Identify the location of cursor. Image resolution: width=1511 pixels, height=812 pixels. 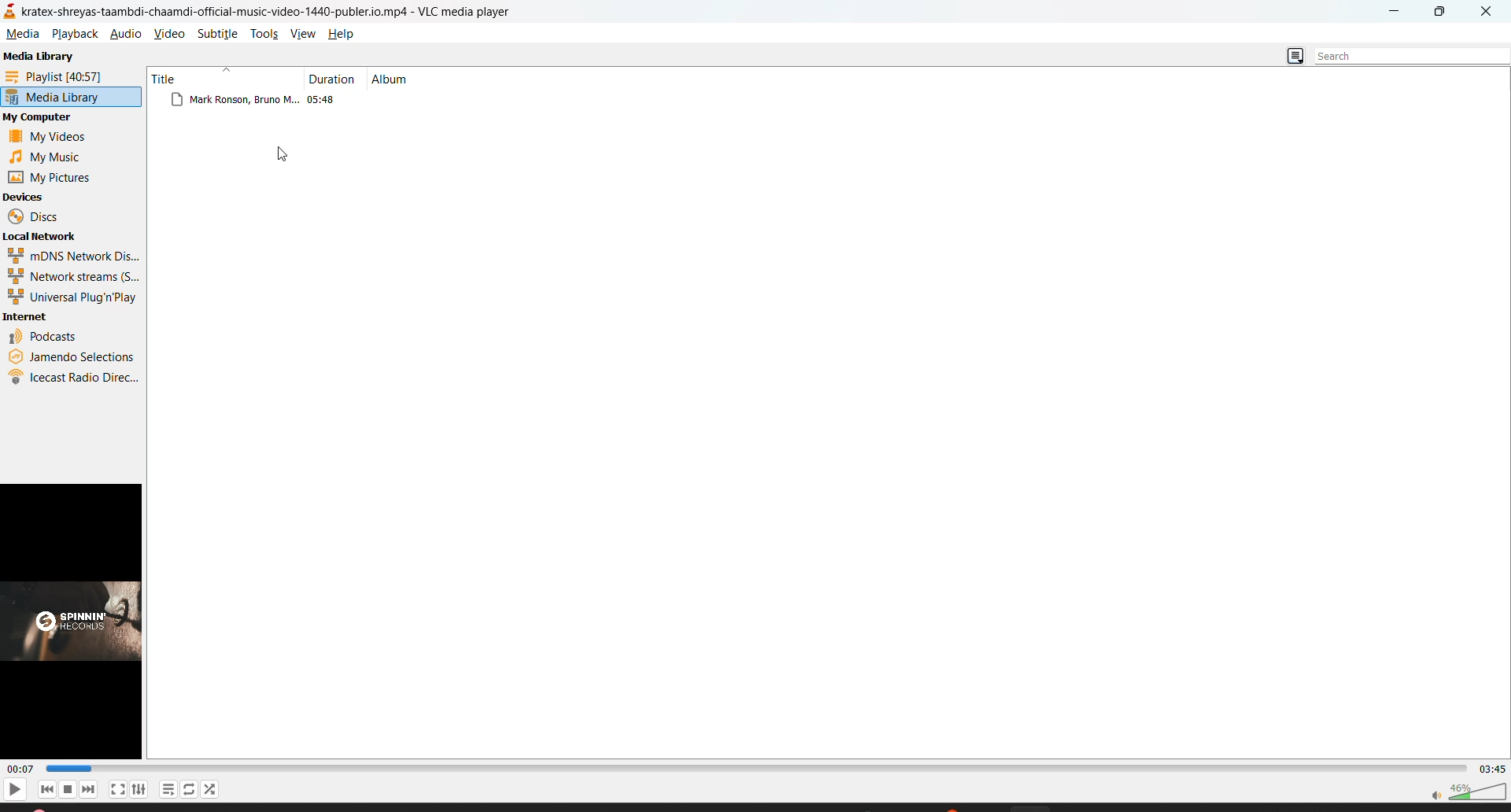
(283, 157).